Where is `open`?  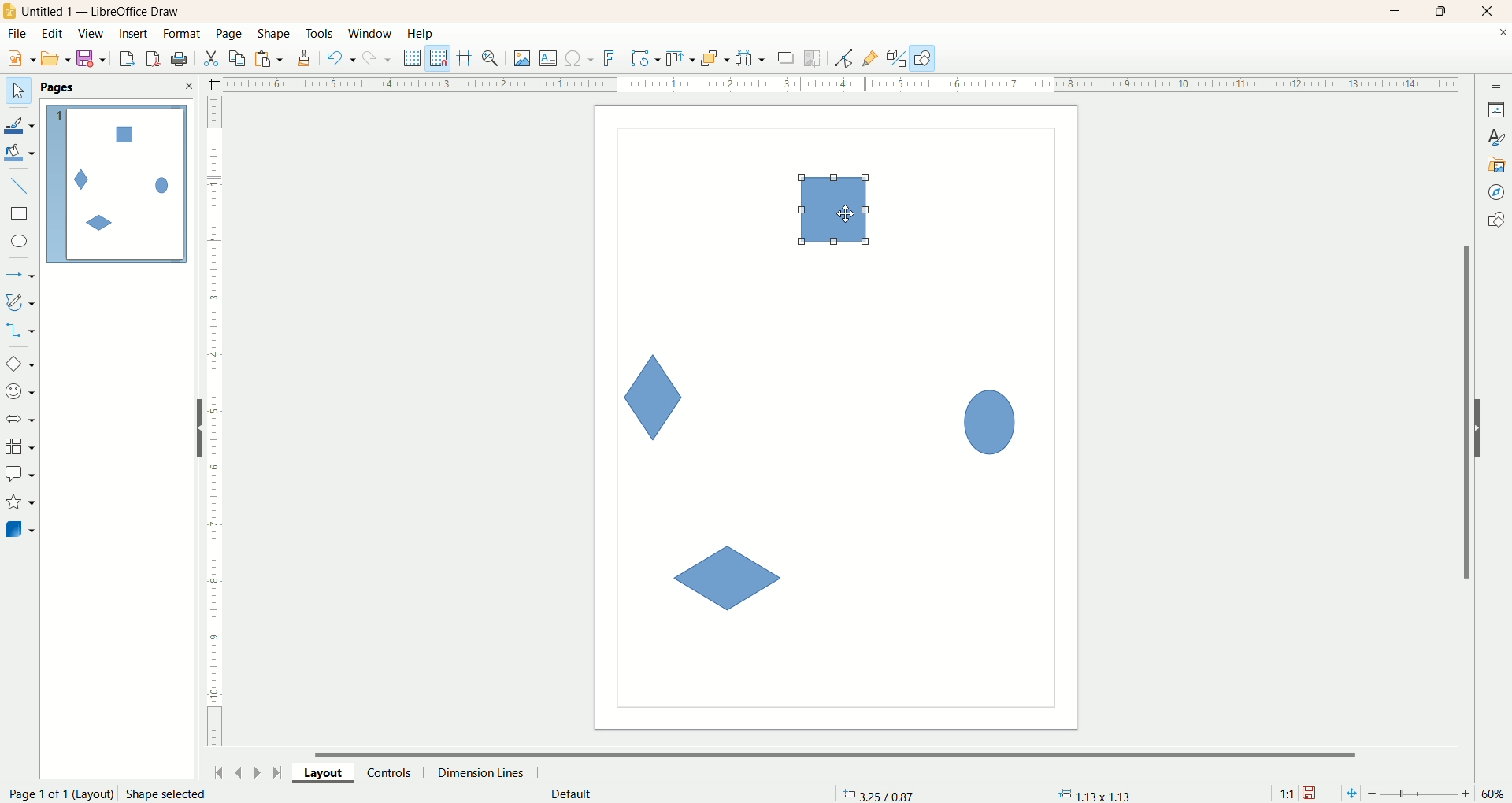
open is located at coordinates (56, 58).